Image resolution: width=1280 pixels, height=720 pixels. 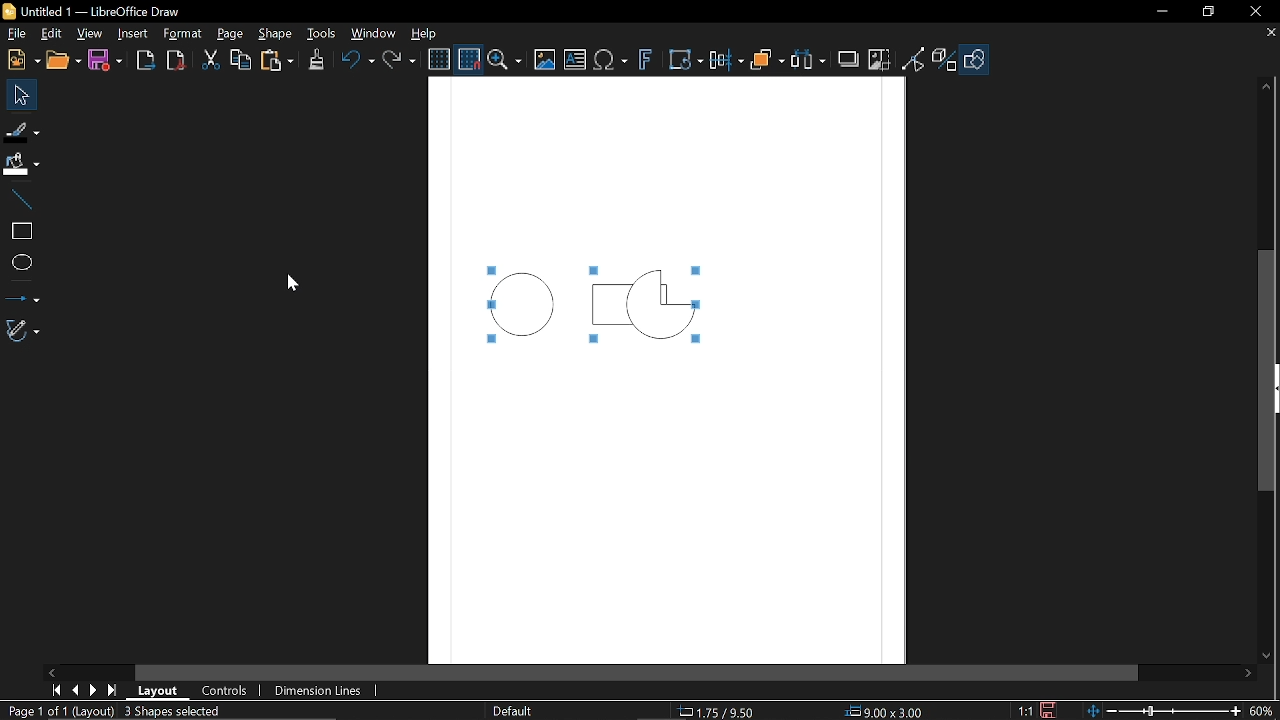 What do you see at coordinates (526, 305) in the screenshot?
I see `Circle` at bounding box center [526, 305].